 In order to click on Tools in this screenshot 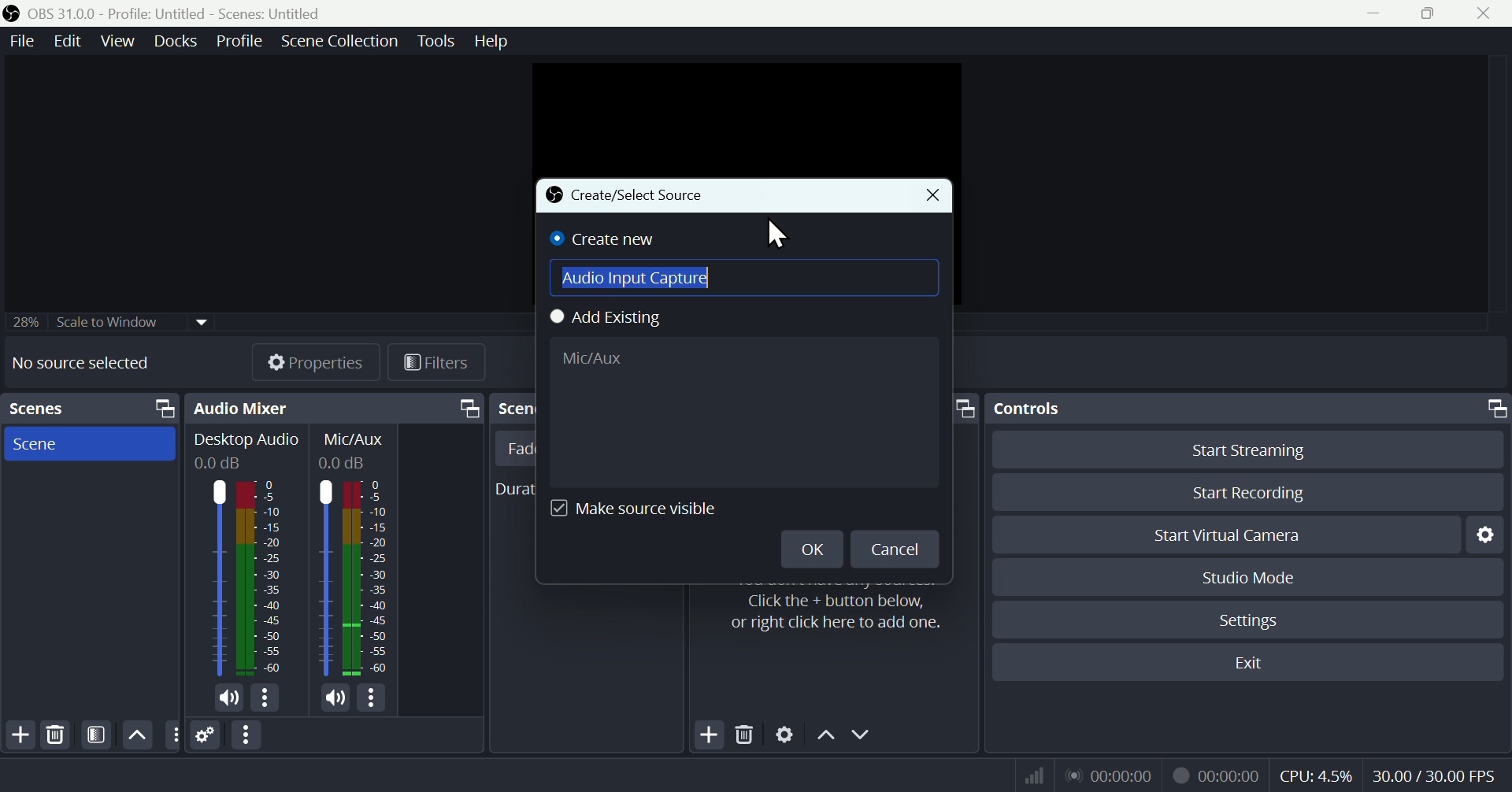, I will do `click(439, 41)`.